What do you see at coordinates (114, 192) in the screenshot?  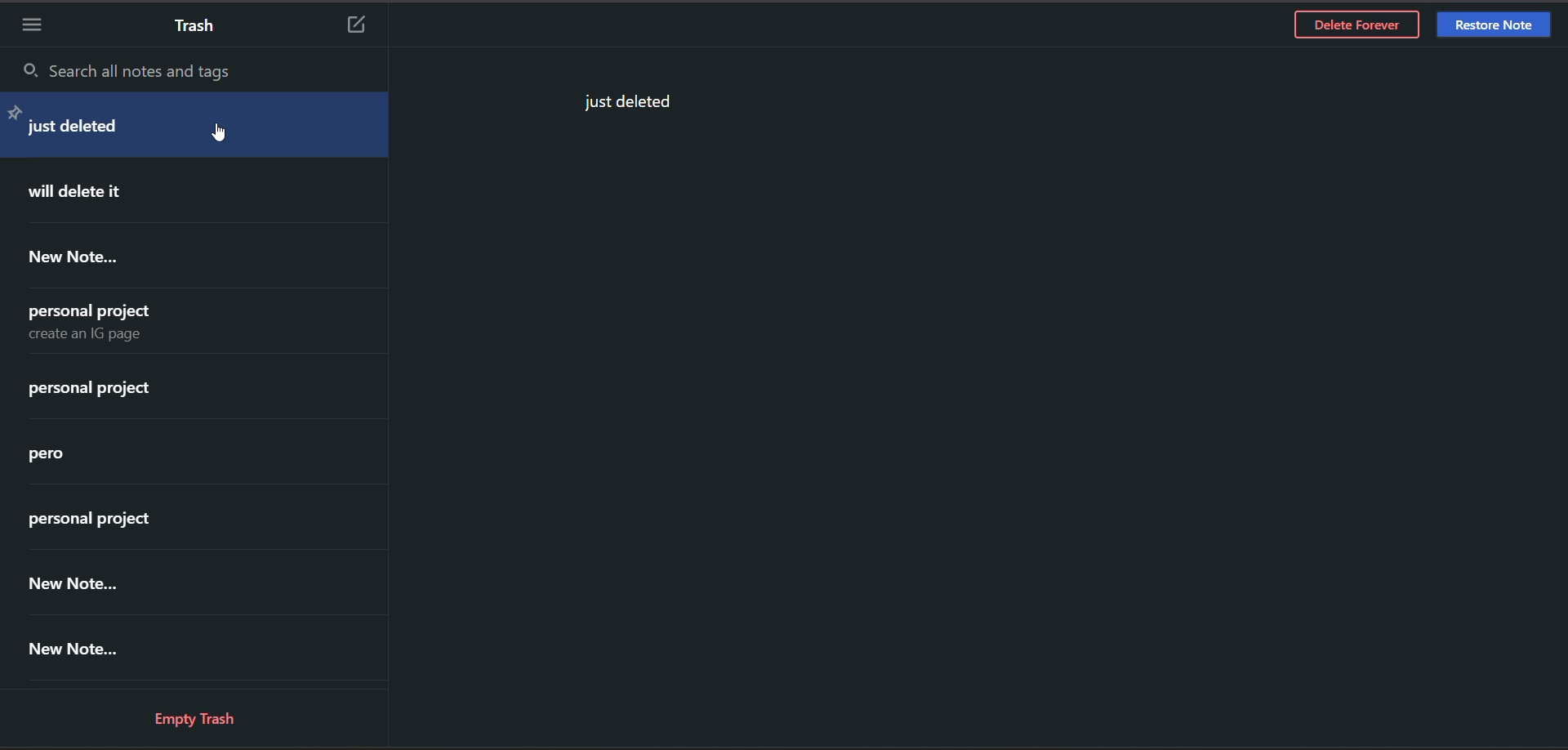 I see `deleted note title 2` at bounding box center [114, 192].